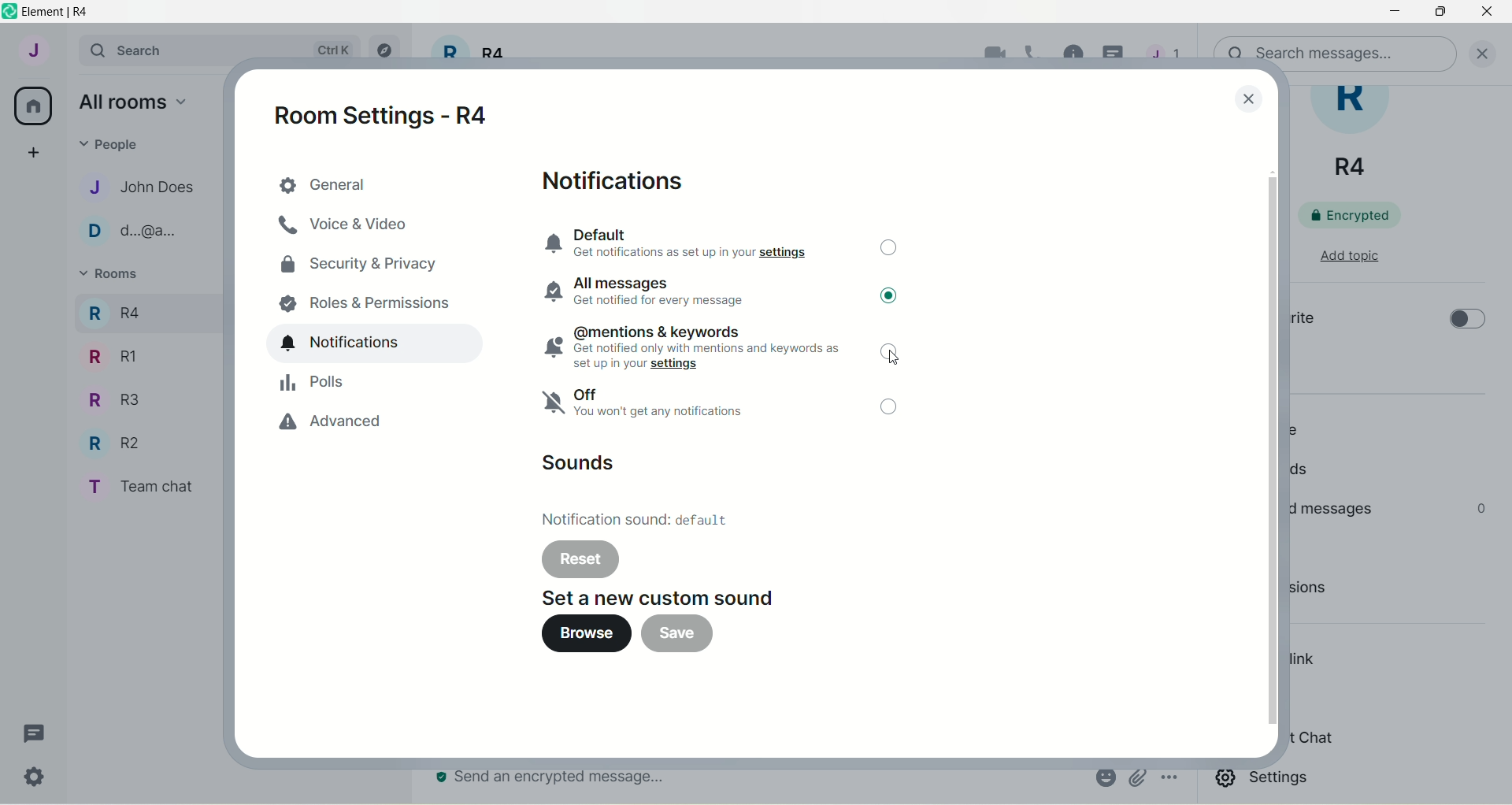  I want to click on settings, so click(37, 780).